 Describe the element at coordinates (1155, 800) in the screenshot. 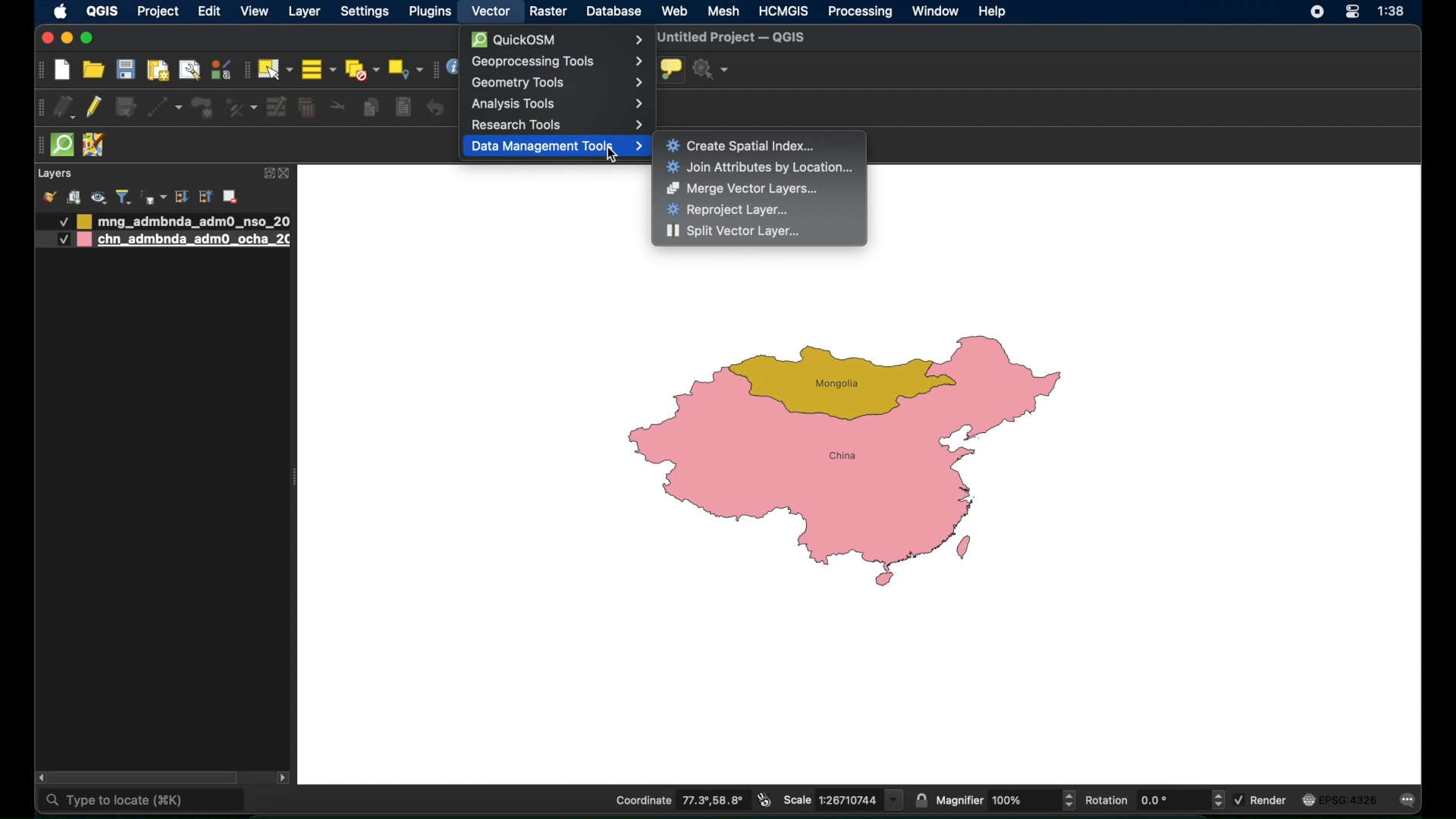

I see `rotation` at that location.